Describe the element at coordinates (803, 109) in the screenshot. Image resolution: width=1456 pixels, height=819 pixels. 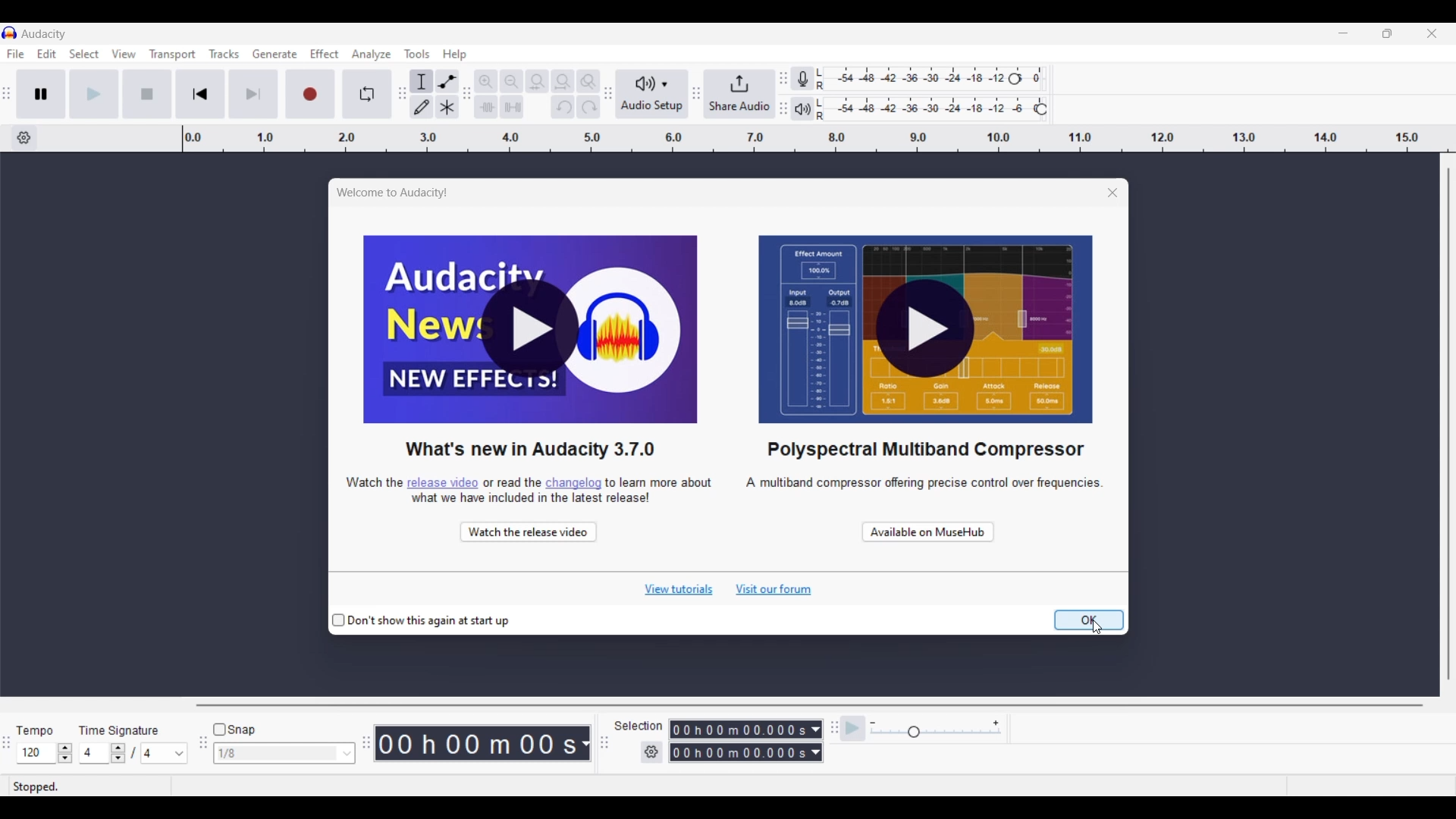
I see `Playback meter` at that location.